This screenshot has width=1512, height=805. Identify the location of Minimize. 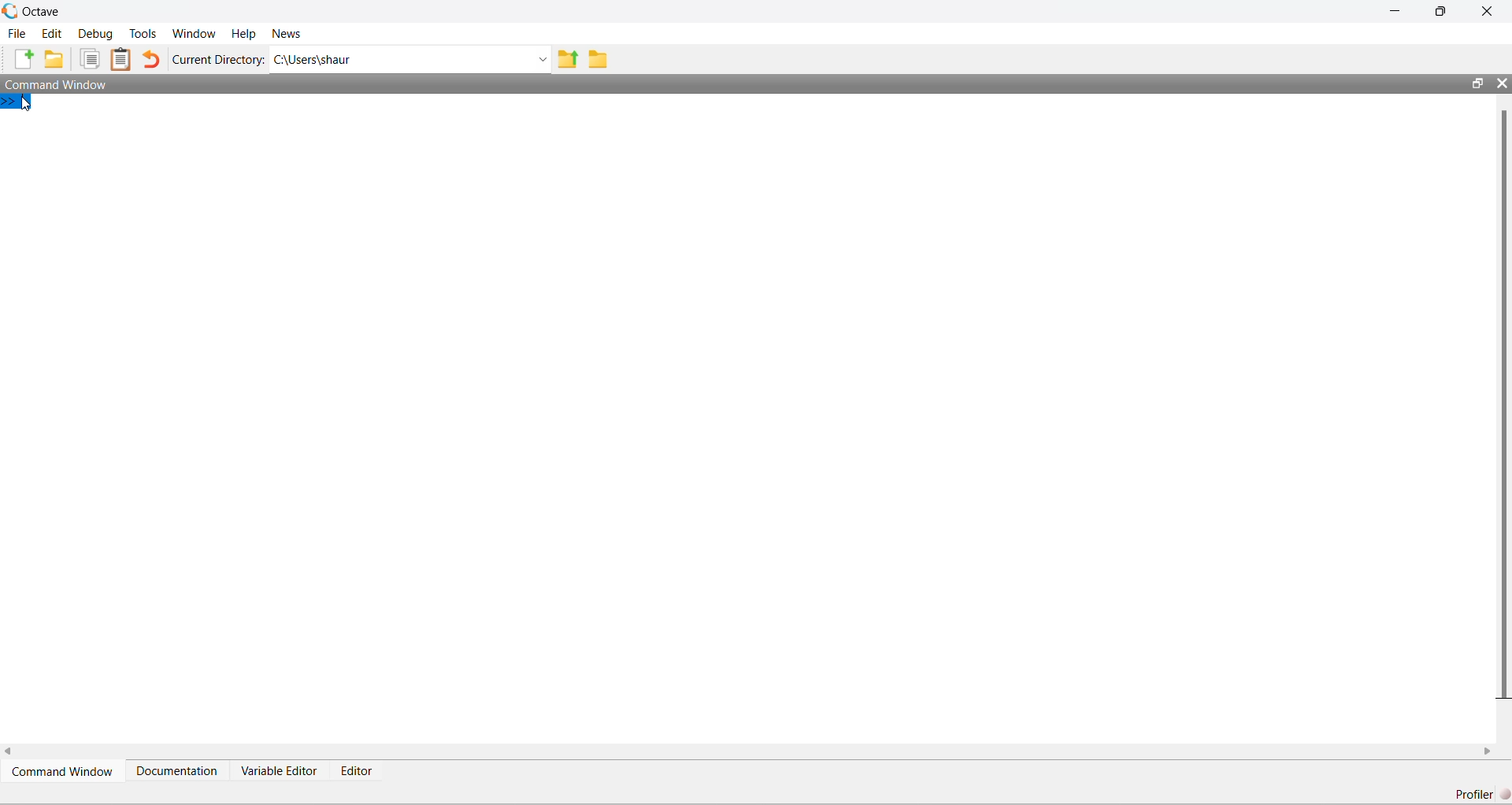
(1396, 10).